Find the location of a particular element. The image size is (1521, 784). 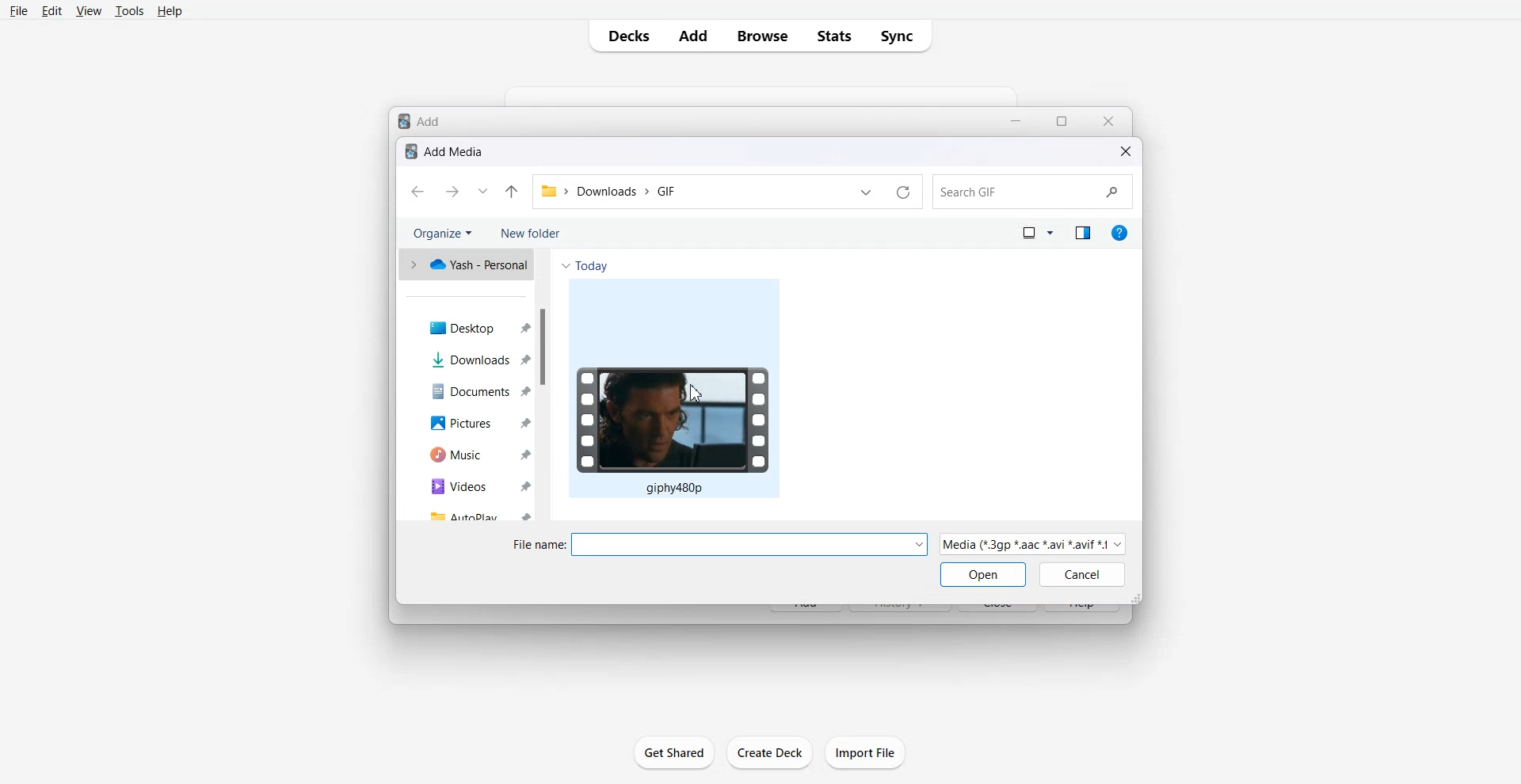

Go forward is located at coordinates (452, 192).